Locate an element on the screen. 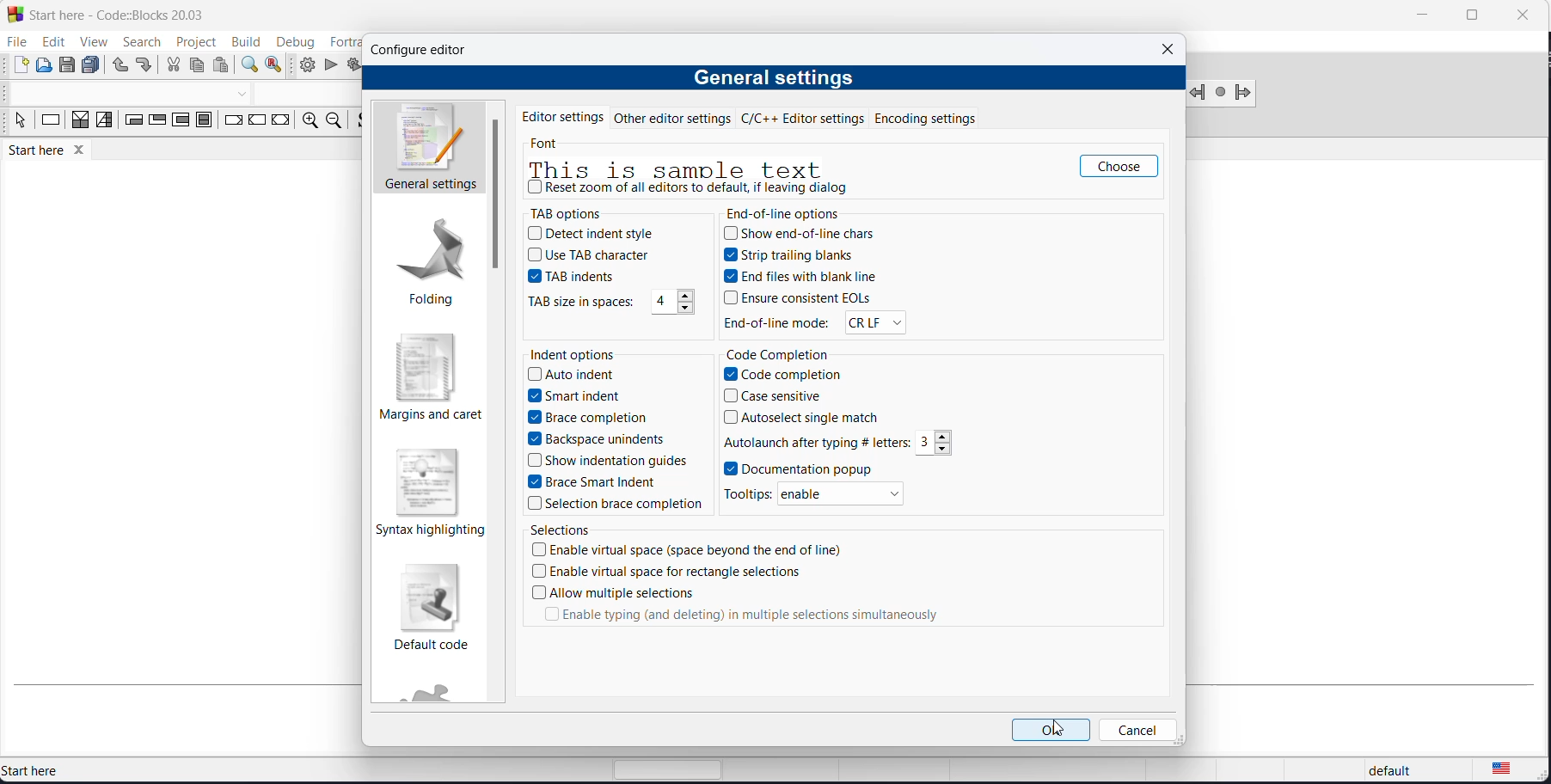  enable typing  is located at coordinates (742, 616).